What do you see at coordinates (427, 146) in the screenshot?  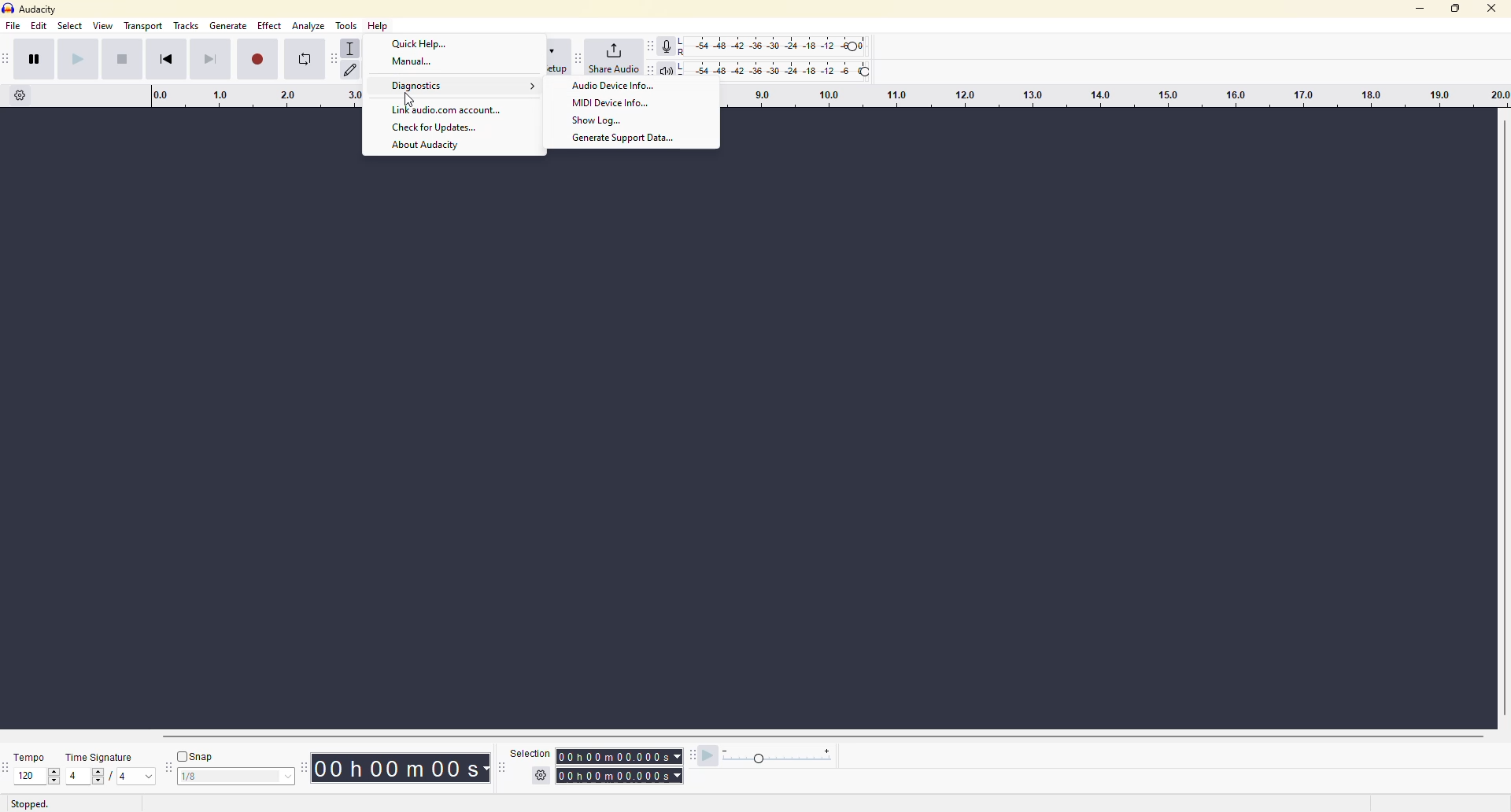 I see `‘About Audacity` at bounding box center [427, 146].